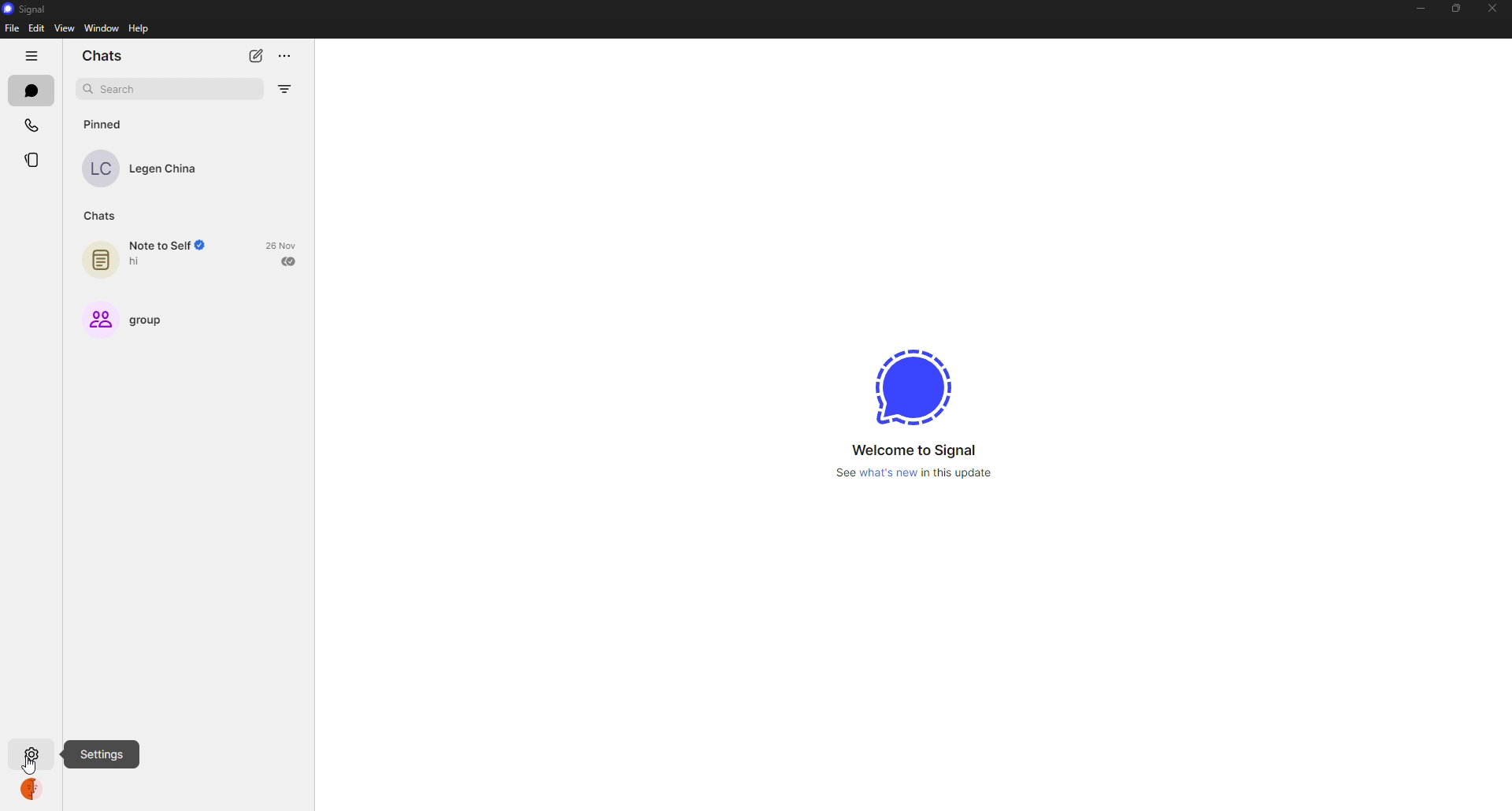 Image resolution: width=1512 pixels, height=811 pixels. What do you see at coordinates (31, 791) in the screenshot?
I see `profile` at bounding box center [31, 791].